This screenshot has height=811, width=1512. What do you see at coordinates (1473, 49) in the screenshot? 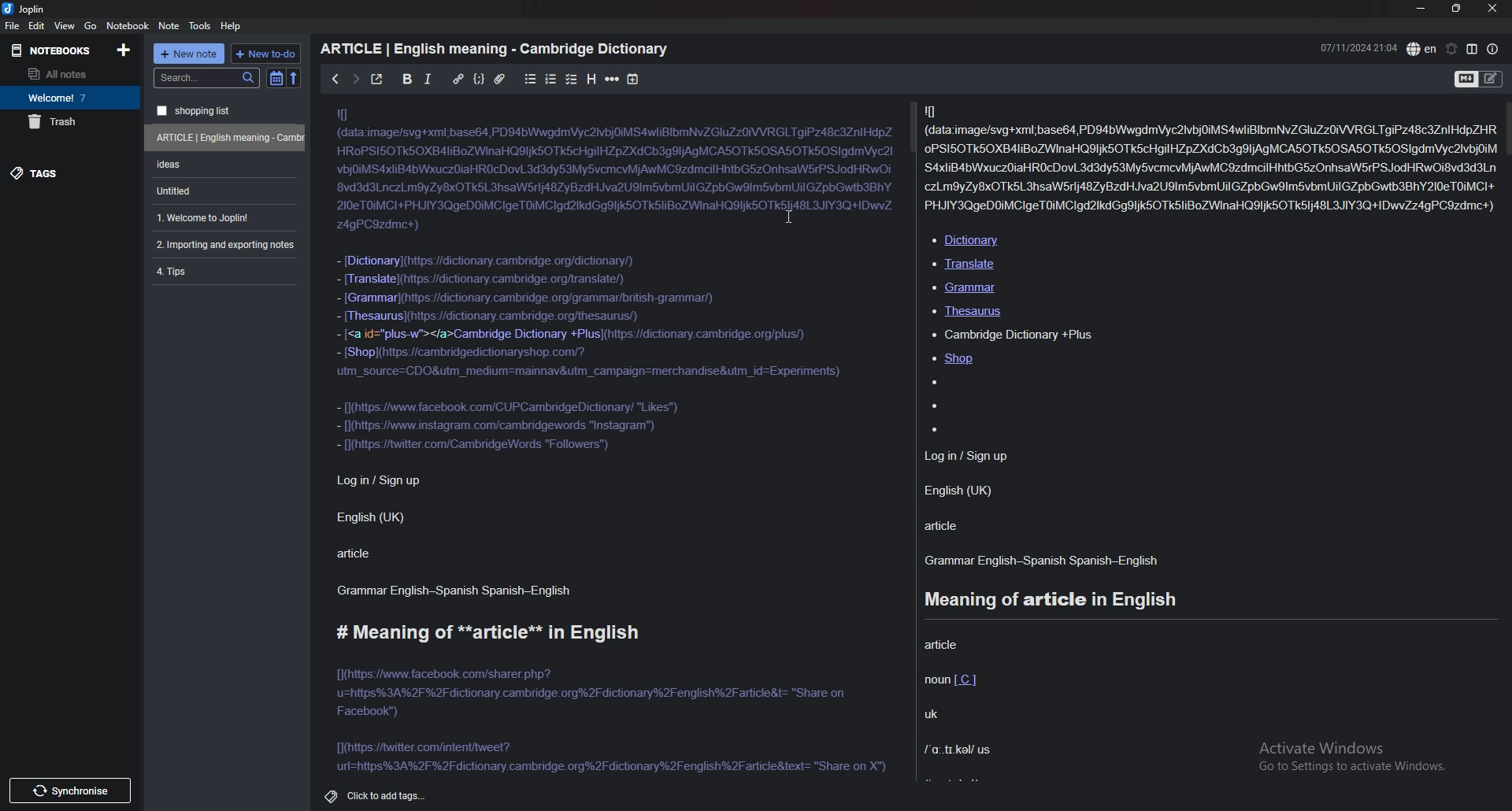
I see `toggle editor layout` at bounding box center [1473, 49].